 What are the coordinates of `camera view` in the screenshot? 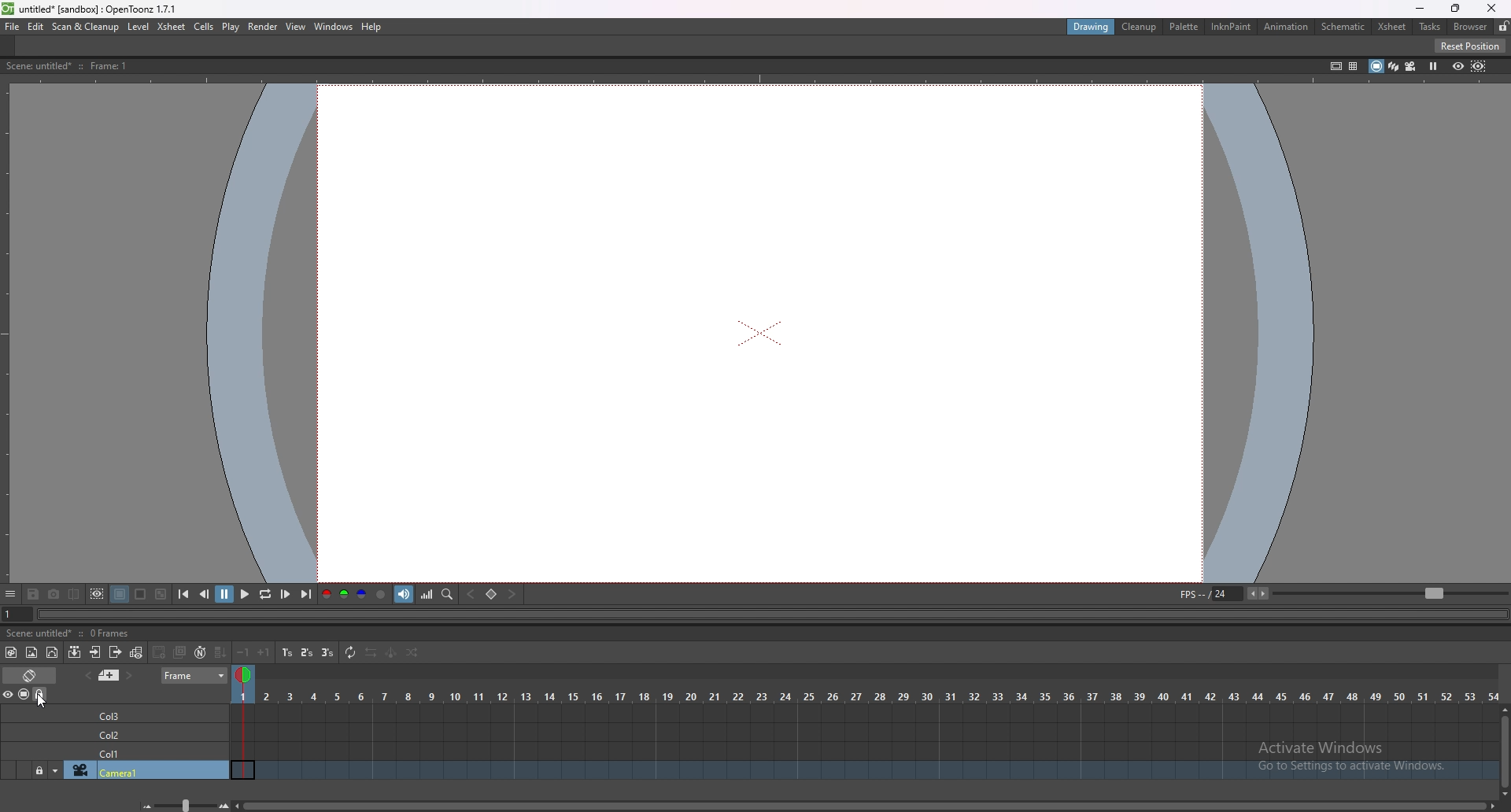 It's located at (1410, 67).